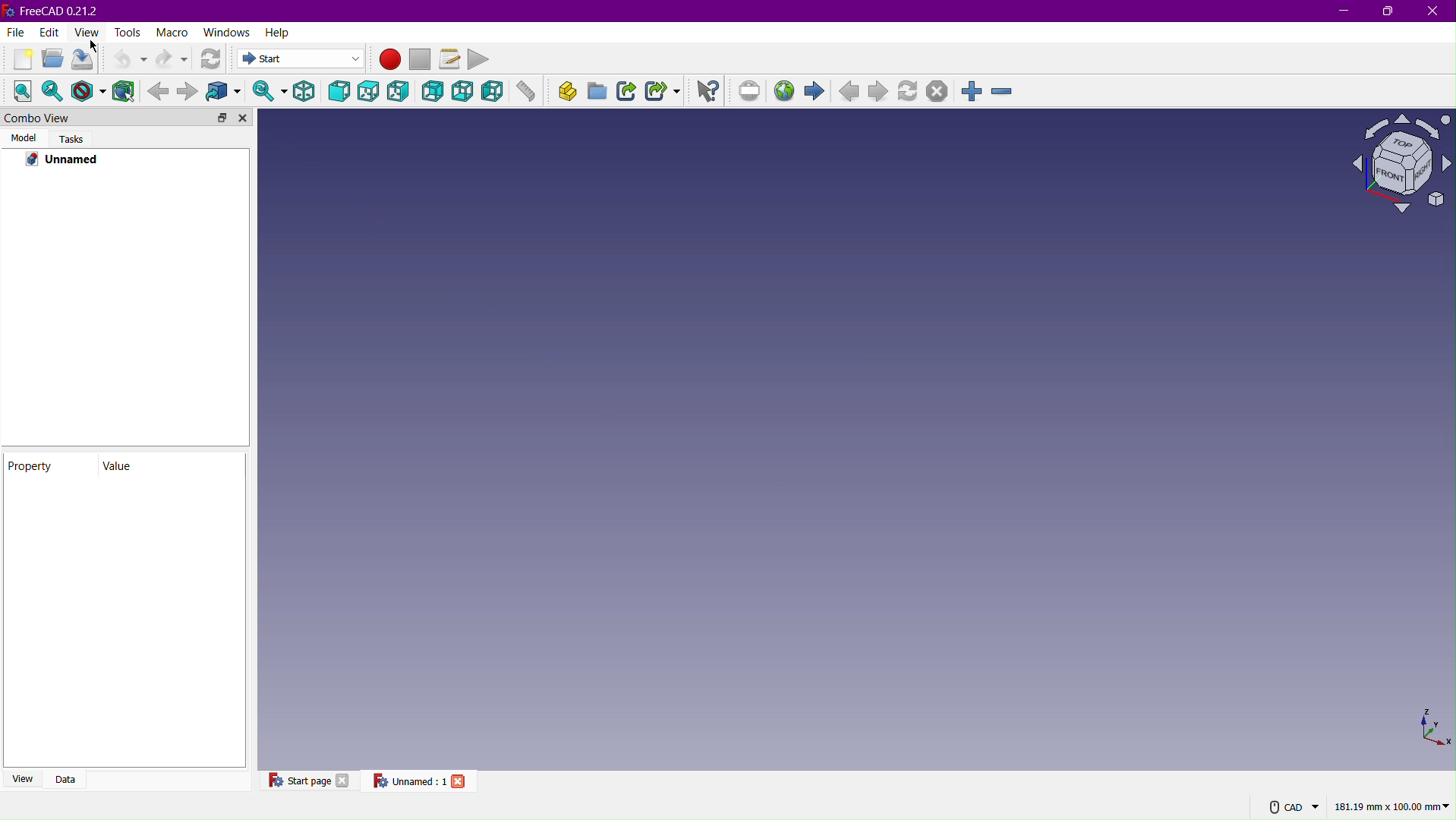 The height and width of the screenshot is (820, 1456). I want to click on Set URL, so click(751, 92).